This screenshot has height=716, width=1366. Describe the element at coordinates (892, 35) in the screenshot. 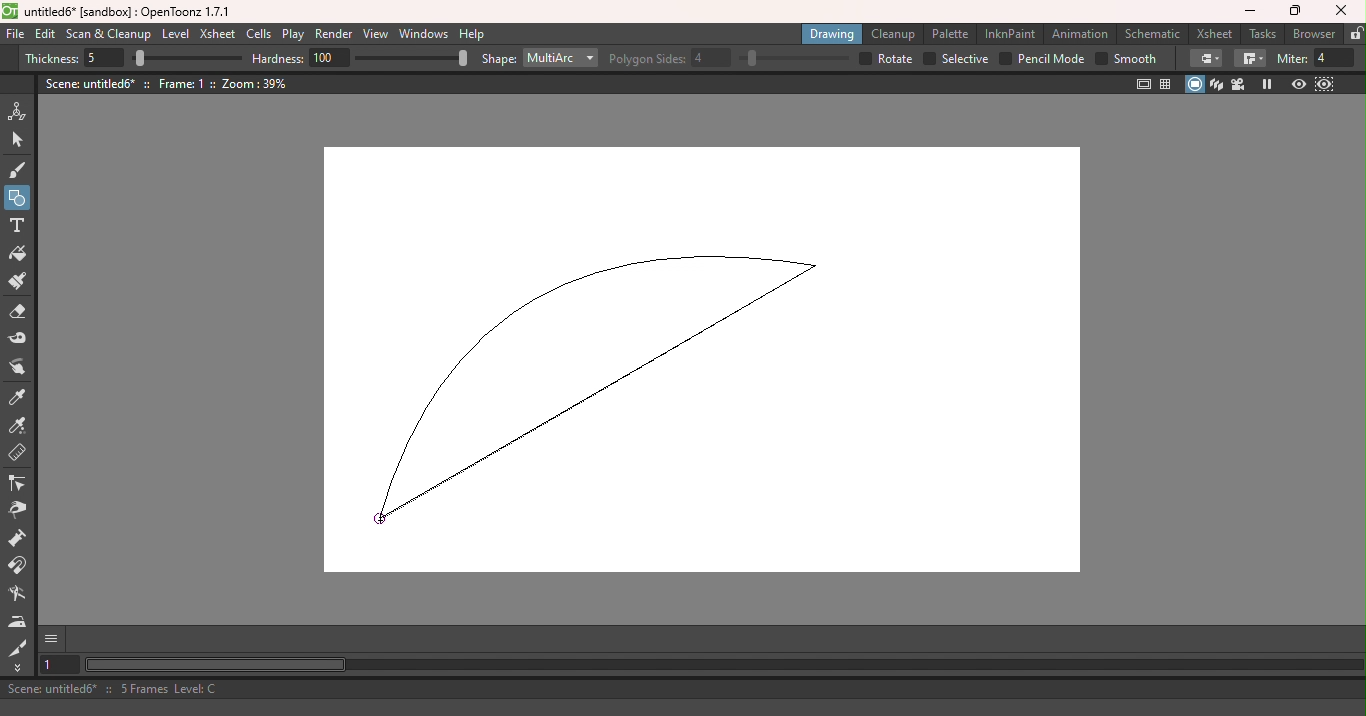

I see `Cleanup` at that location.